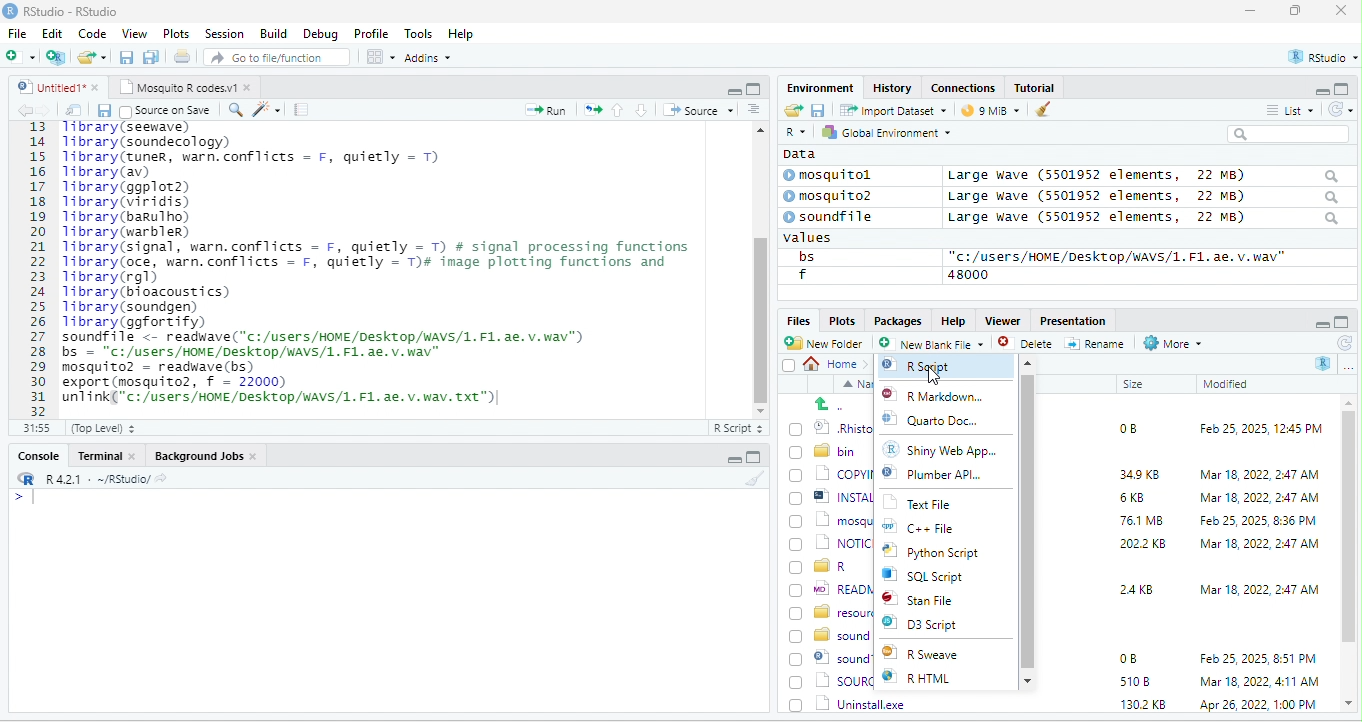 This screenshot has width=1362, height=722. I want to click on wo| READMEmd, so click(830, 588).